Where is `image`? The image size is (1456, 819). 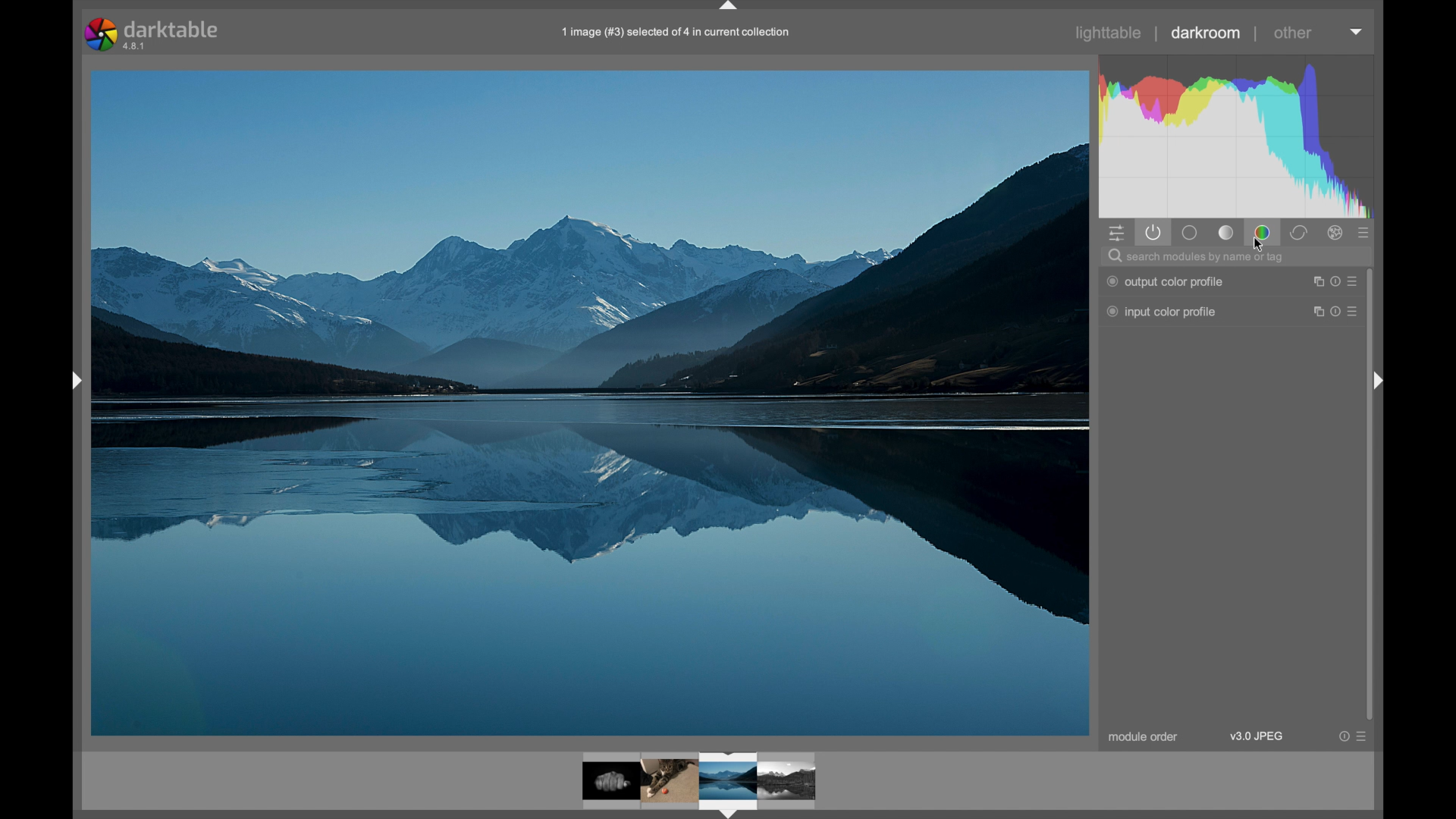 image is located at coordinates (792, 780).